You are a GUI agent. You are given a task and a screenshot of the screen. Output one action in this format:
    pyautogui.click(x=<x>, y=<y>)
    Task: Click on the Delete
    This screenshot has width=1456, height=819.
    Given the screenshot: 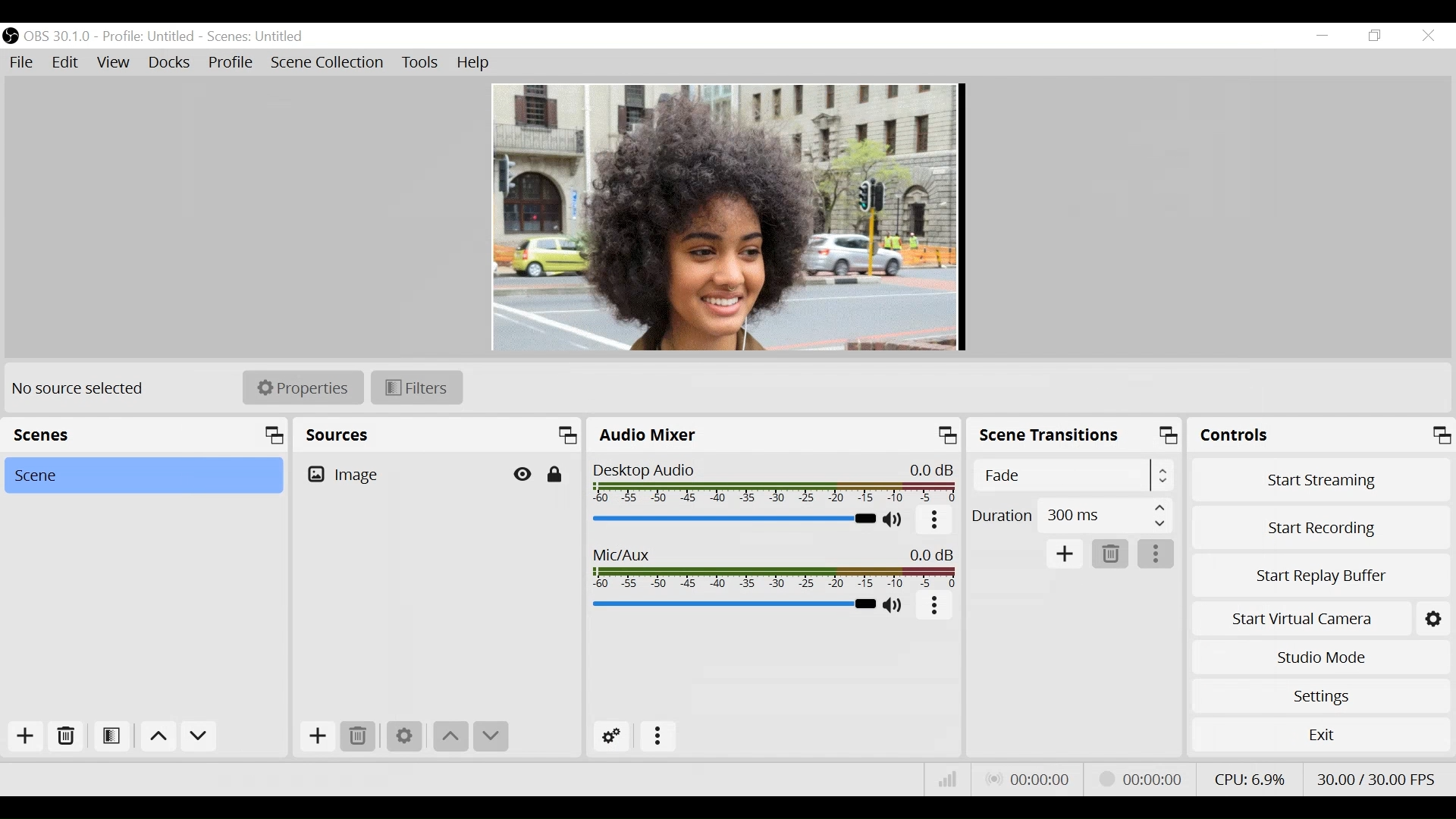 What is the action you would take?
    pyautogui.click(x=1112, y=553)
    